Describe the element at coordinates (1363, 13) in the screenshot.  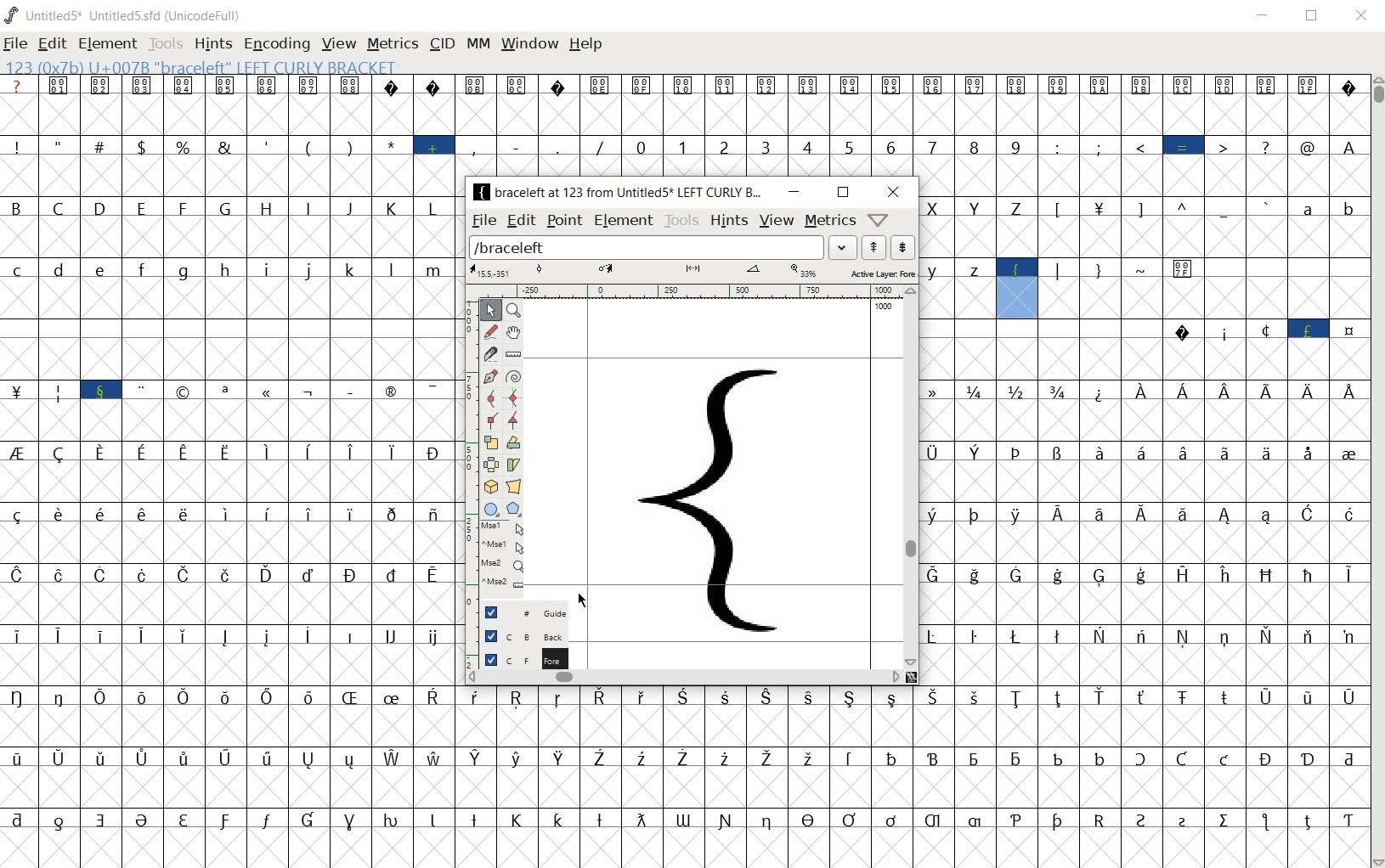
I see `close` at that location.